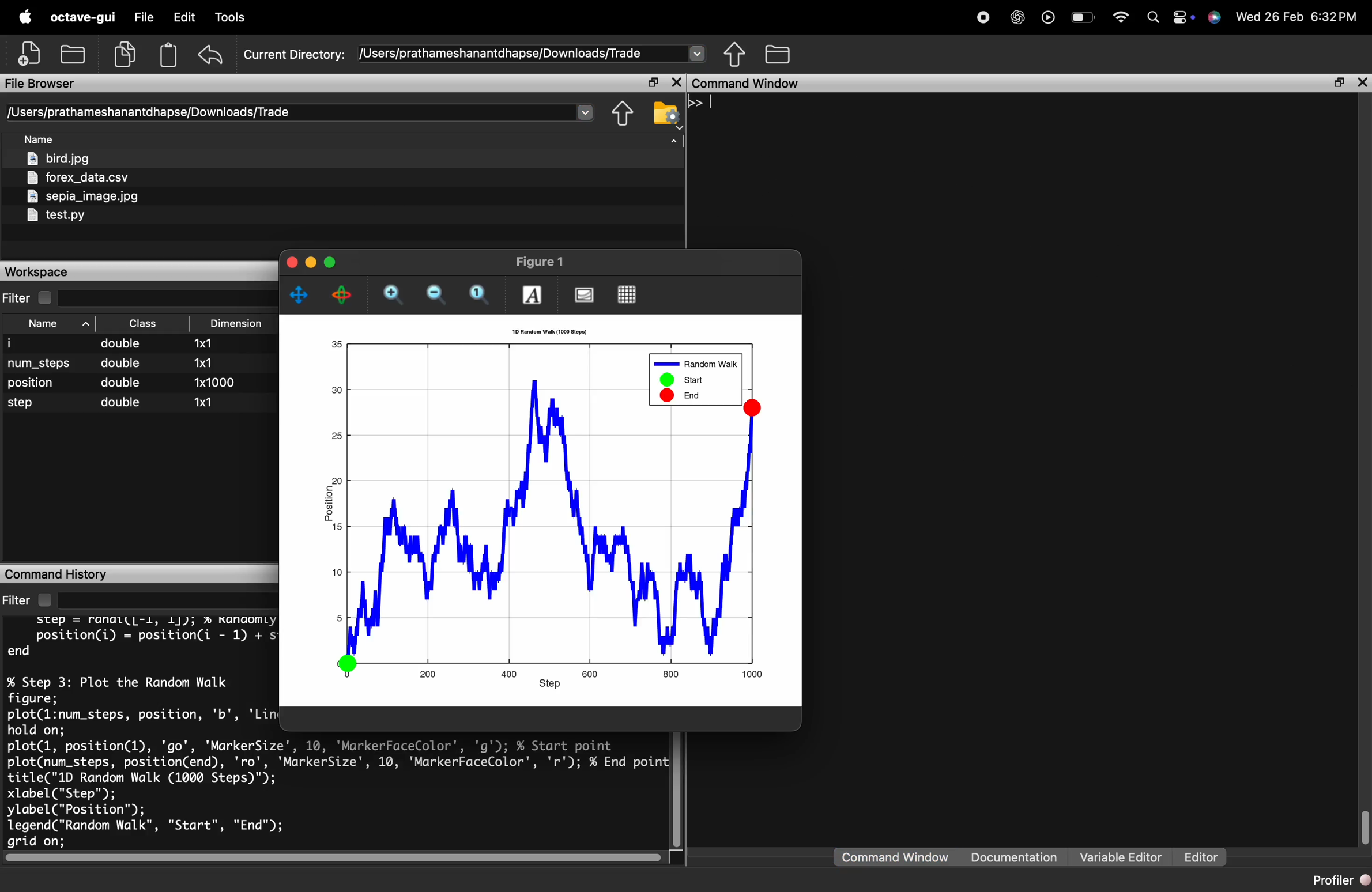 This screenshot has height=892, width=1372. What do you see at coordinates (778, 55) in the screenshot?
I see `browse directories` at bounding box center [778, 55].